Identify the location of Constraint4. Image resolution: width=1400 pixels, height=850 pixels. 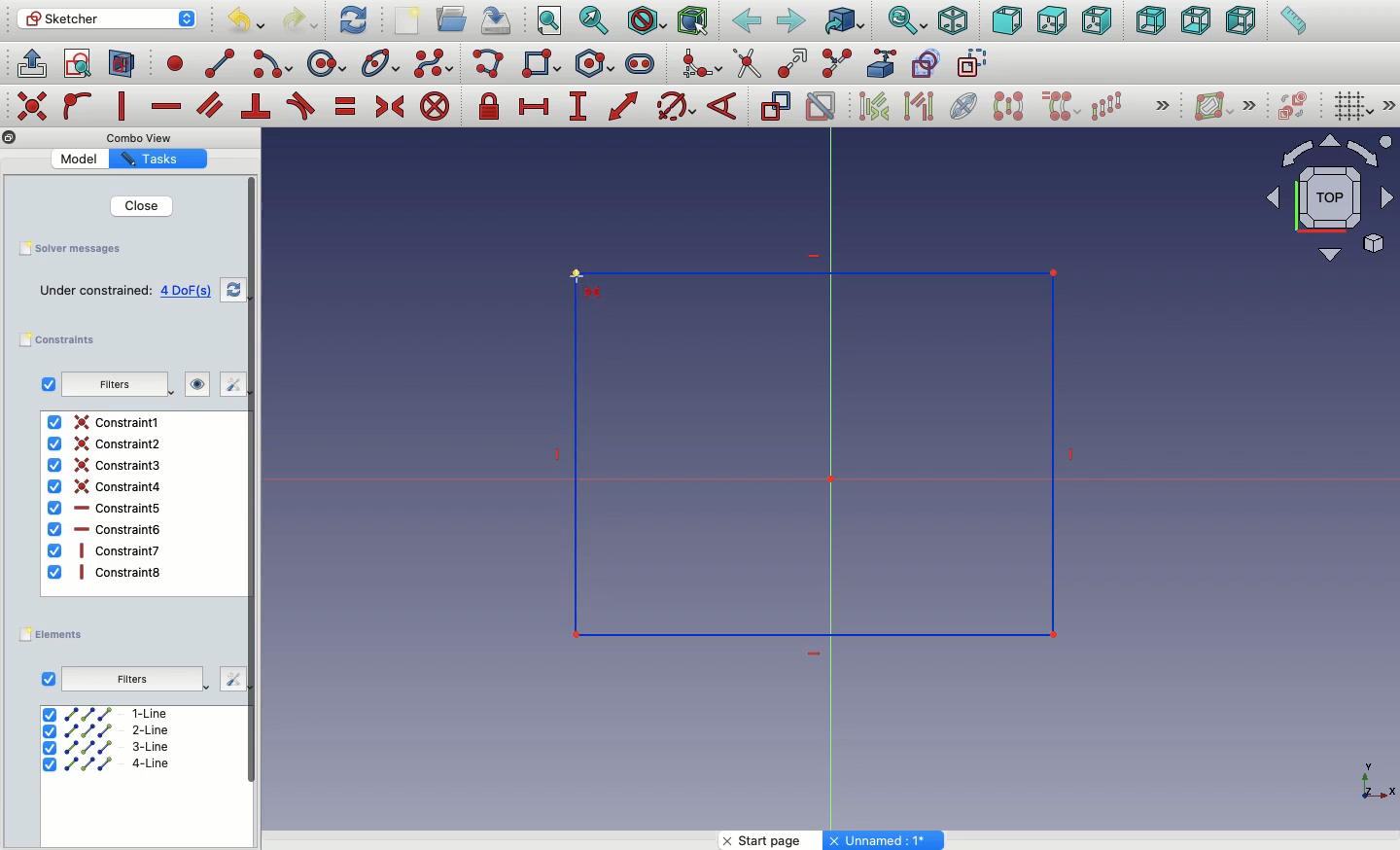
(106, 486).